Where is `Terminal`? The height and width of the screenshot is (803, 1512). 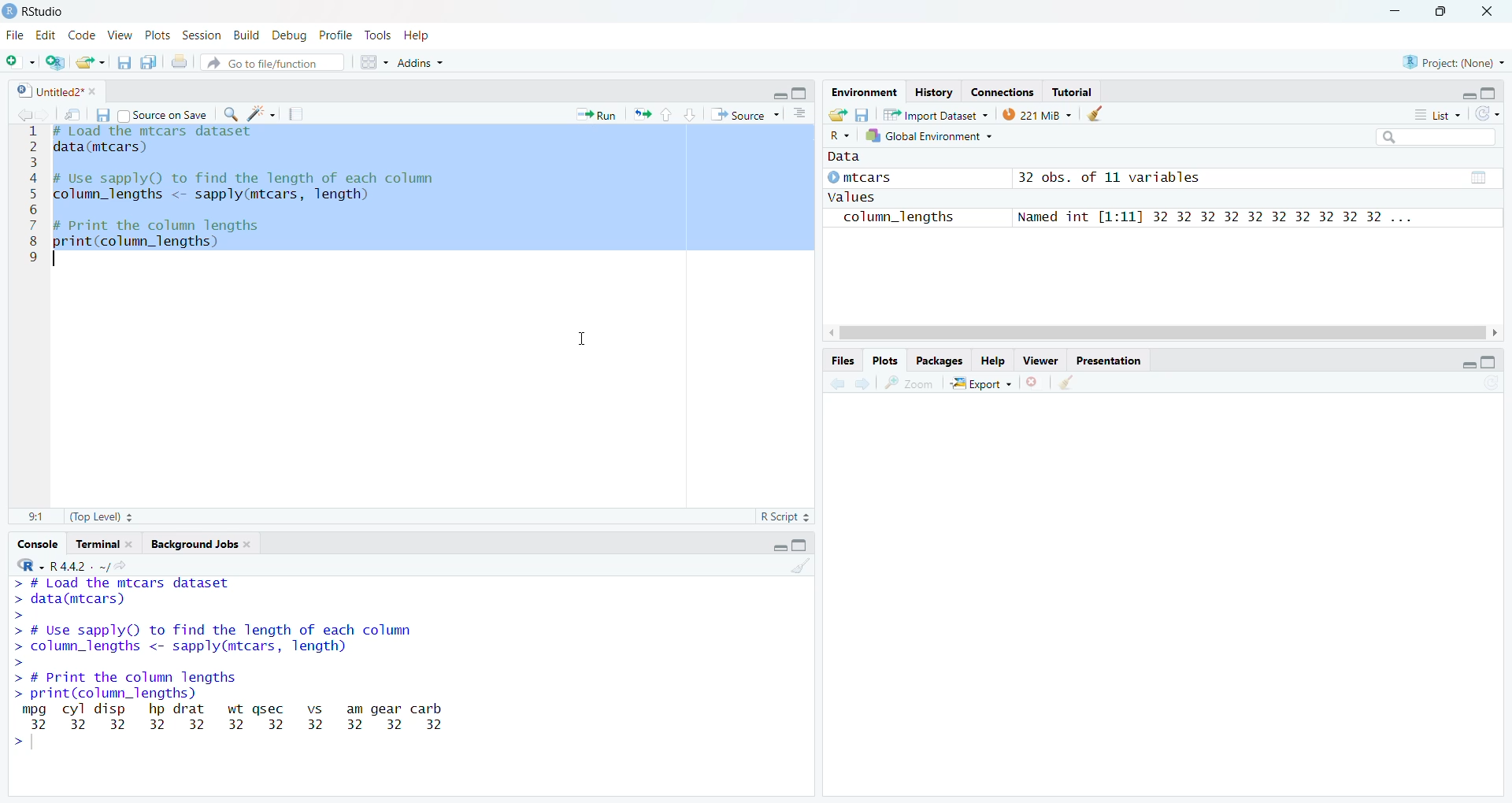 Terminal is located at coordinates (104, 544).